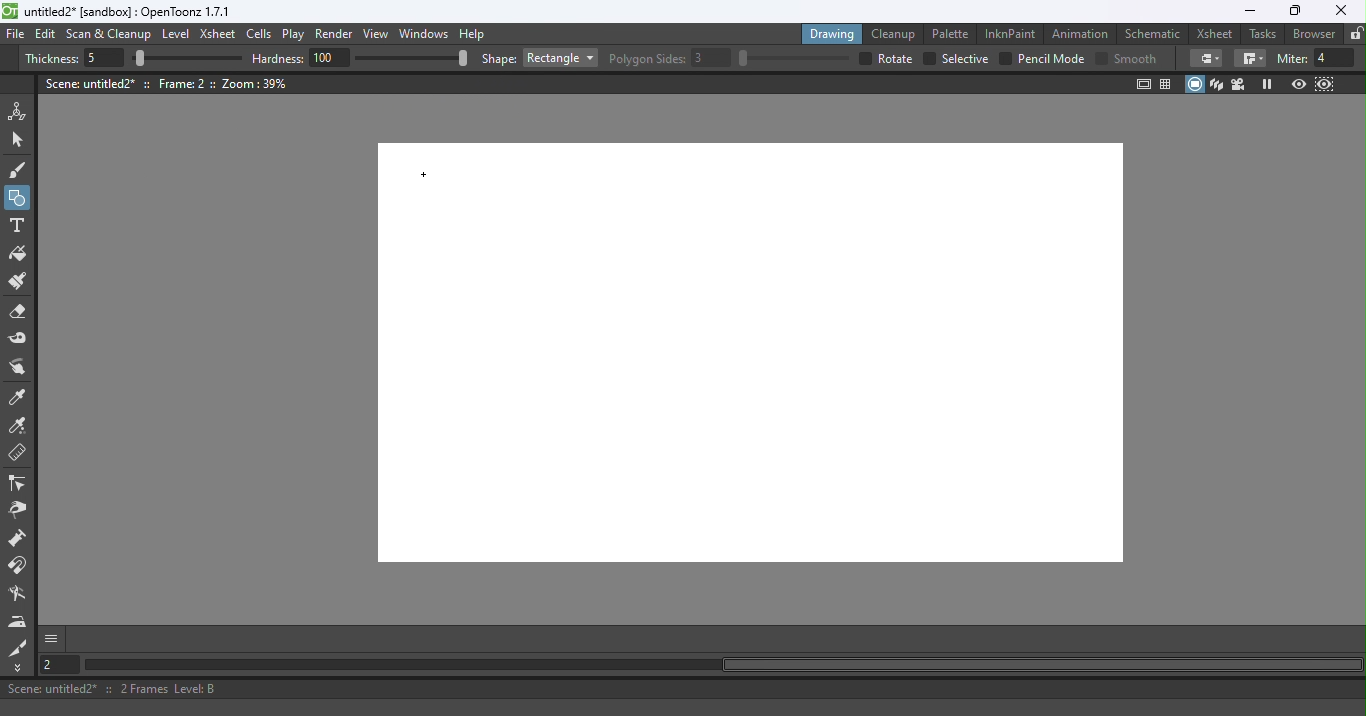 The width and height of the screenshot is (1366, 716). Describe the element at coordinates (425, 35) in the screenshot. I see `Windows` at that location.